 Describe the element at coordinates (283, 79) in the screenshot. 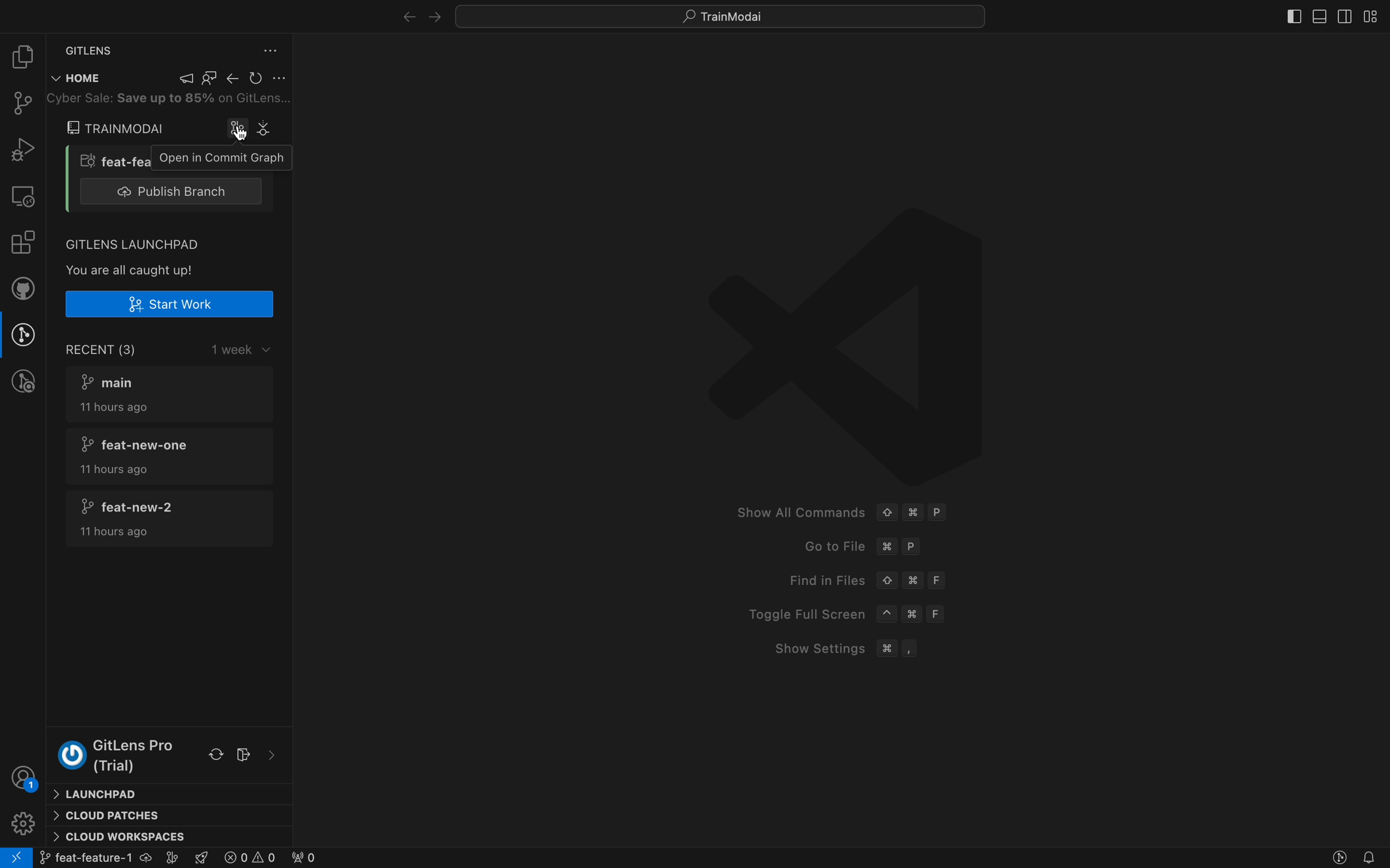

I see `` at that location.